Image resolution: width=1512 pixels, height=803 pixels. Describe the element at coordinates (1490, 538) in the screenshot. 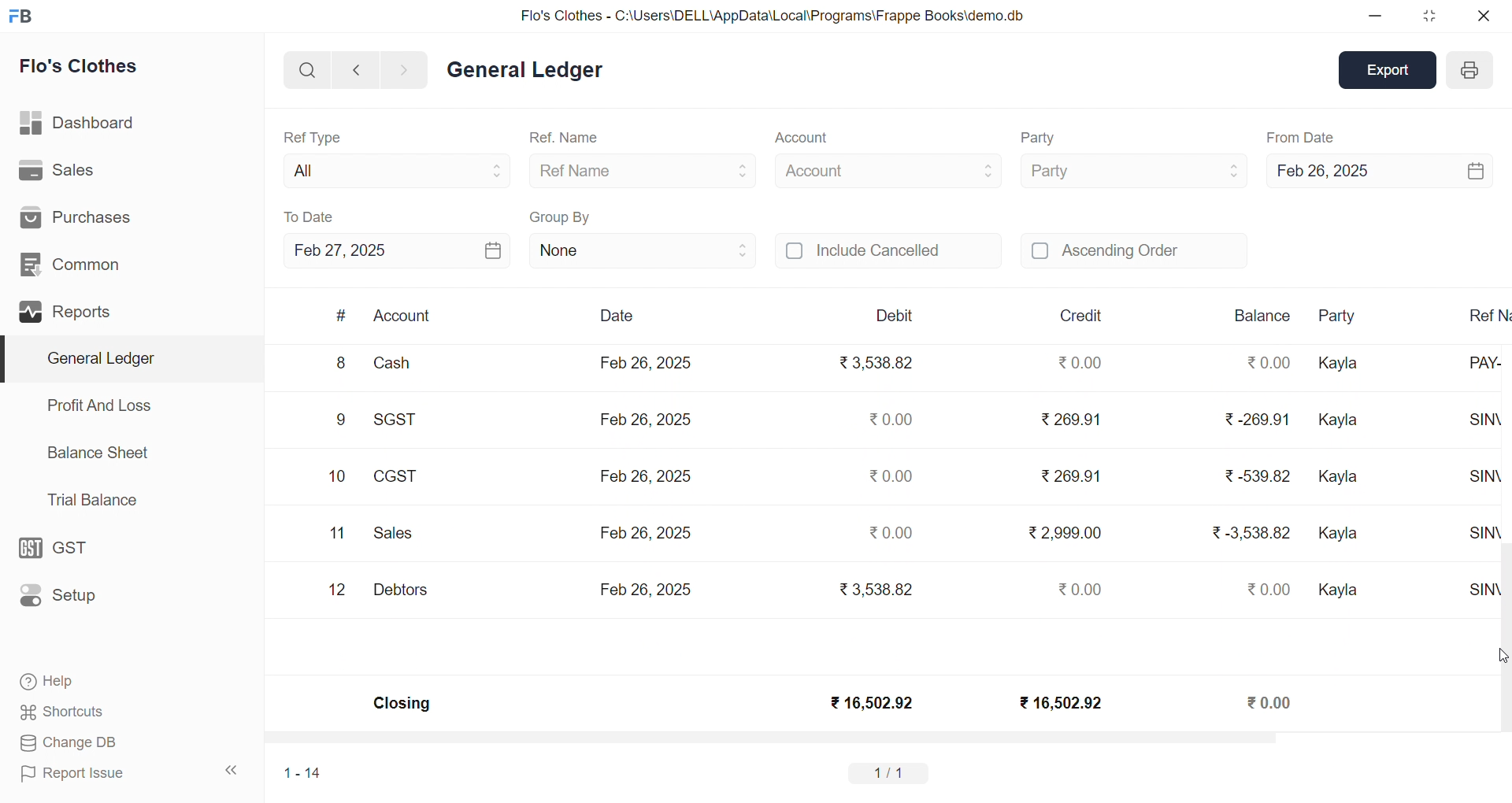

I see `SINV-` at that location.